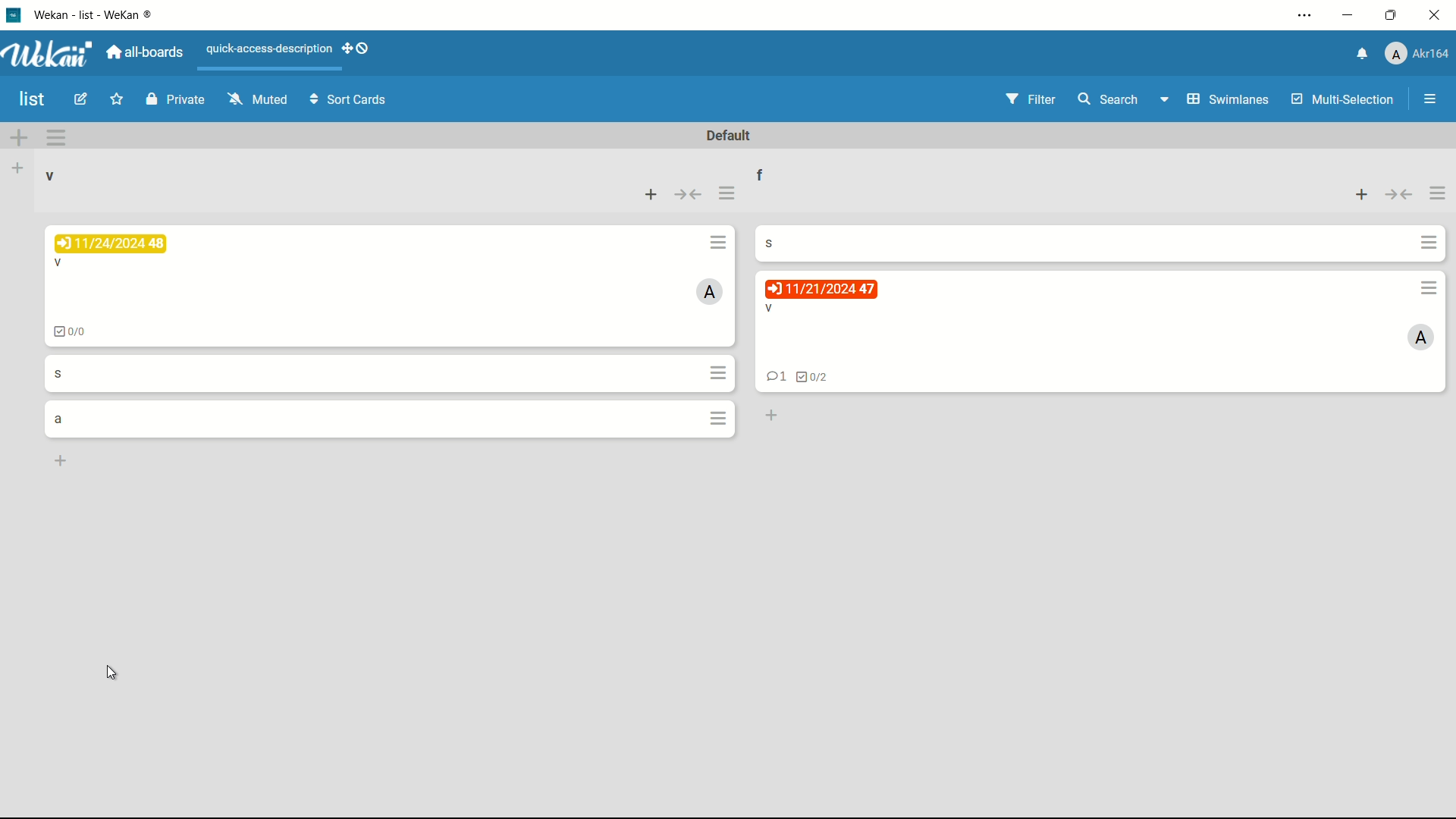 This screenshot has height=819, width=1456. What do you see at coordinates (1421, 338) in the screenshot?
I see `admin` at bounding box center [1421, 338].